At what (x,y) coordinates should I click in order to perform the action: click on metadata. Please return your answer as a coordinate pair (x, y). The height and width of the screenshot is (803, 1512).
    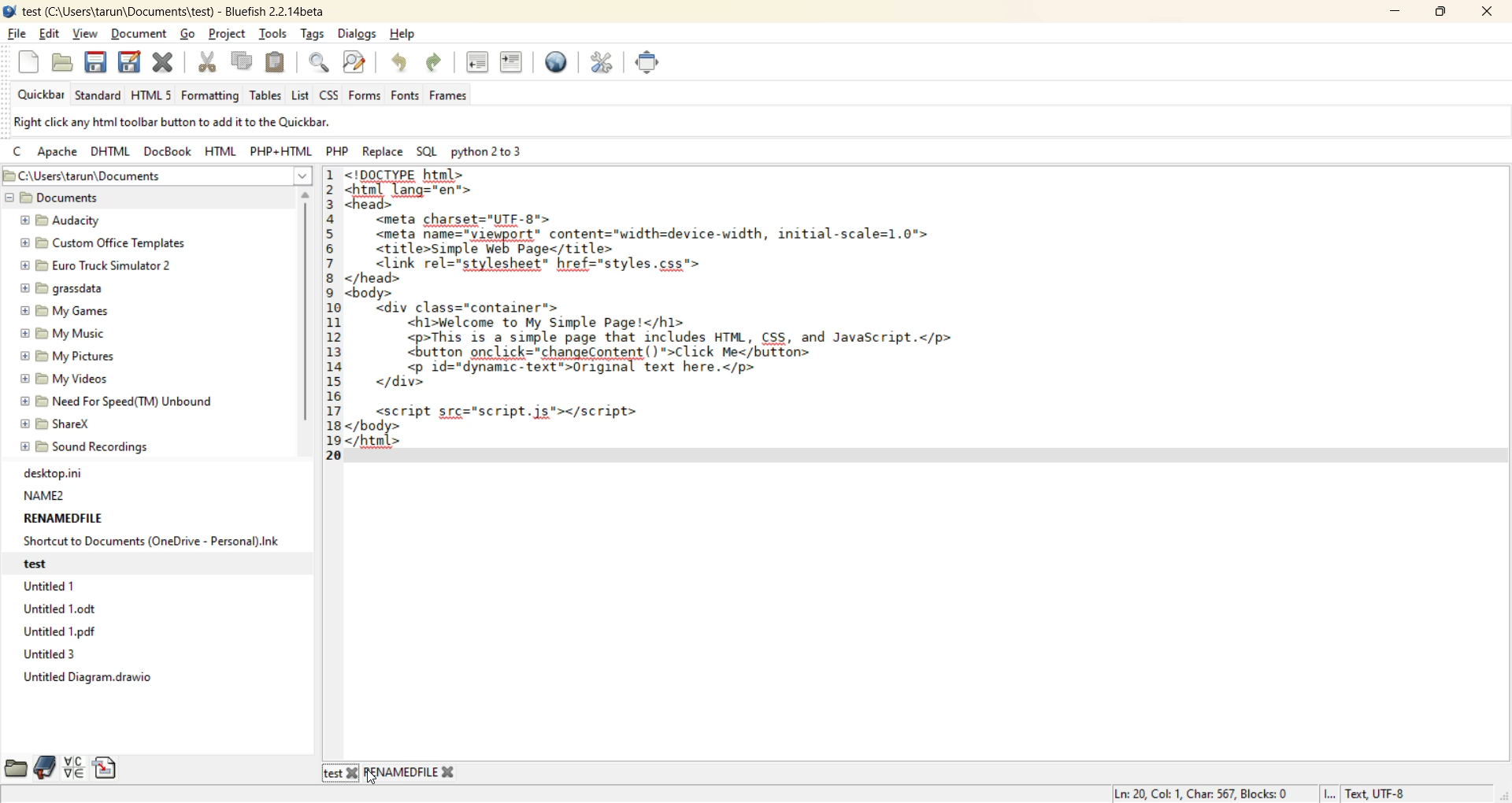
    Looking at the image, I should click on (210, 123).